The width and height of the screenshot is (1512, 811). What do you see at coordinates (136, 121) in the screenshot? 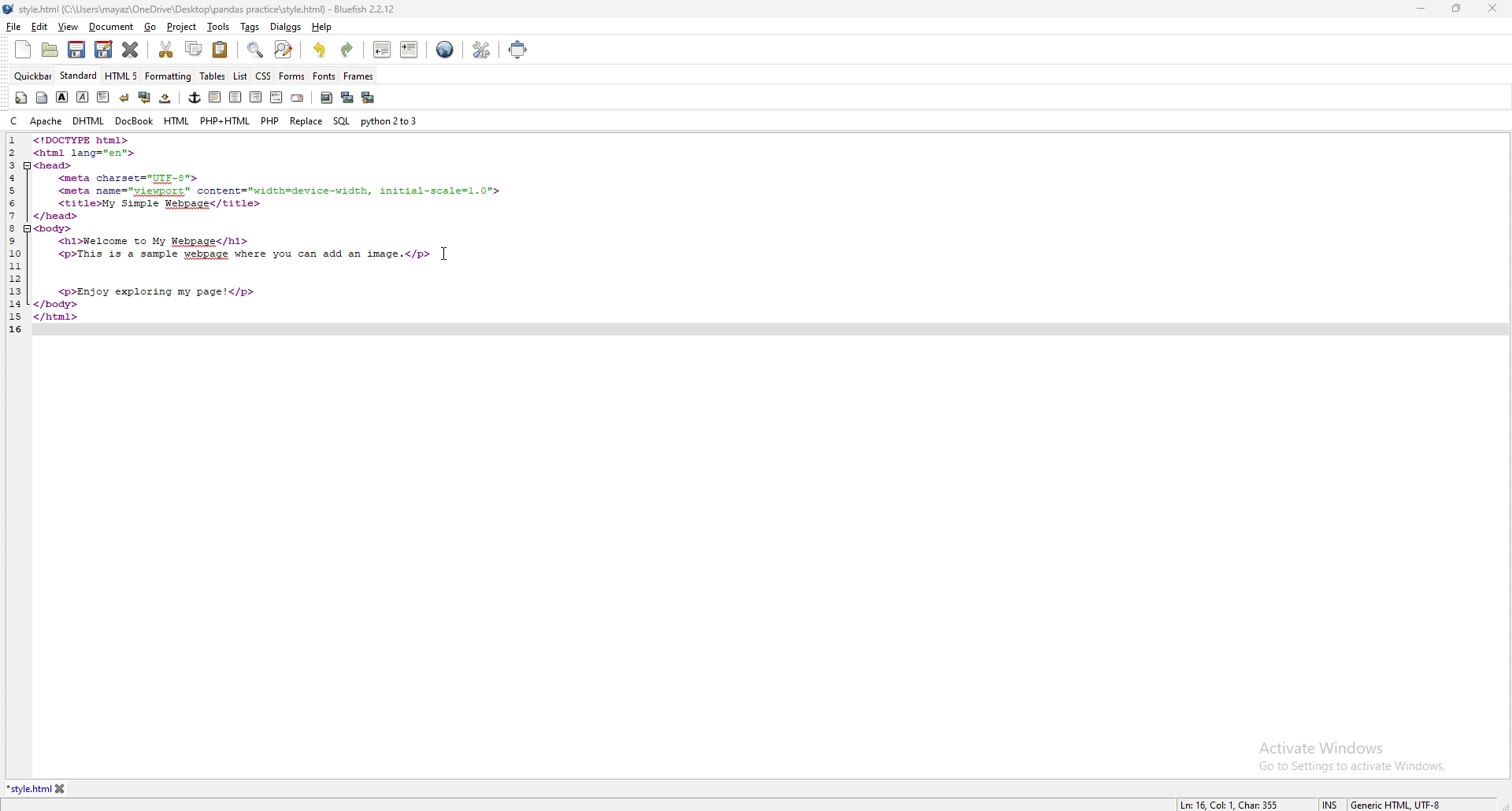
I see `docbook` at bounding box center [136, 121].